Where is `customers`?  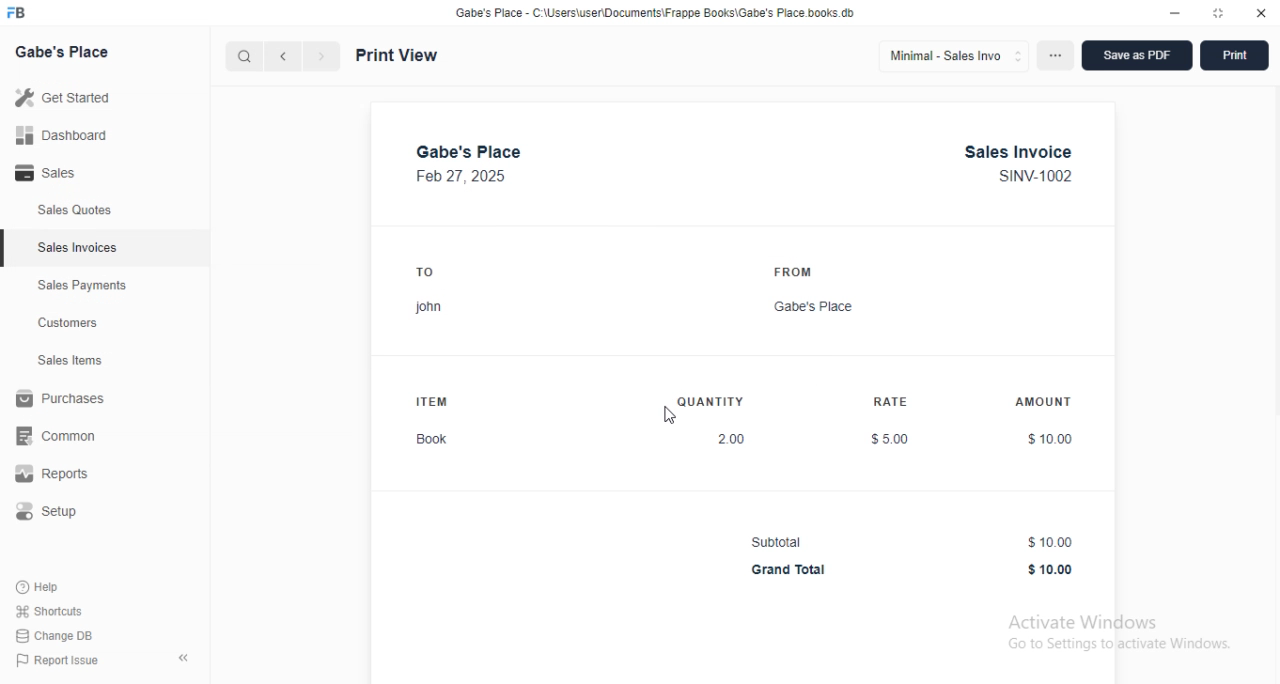
customers is located at coordinates (69, 323).